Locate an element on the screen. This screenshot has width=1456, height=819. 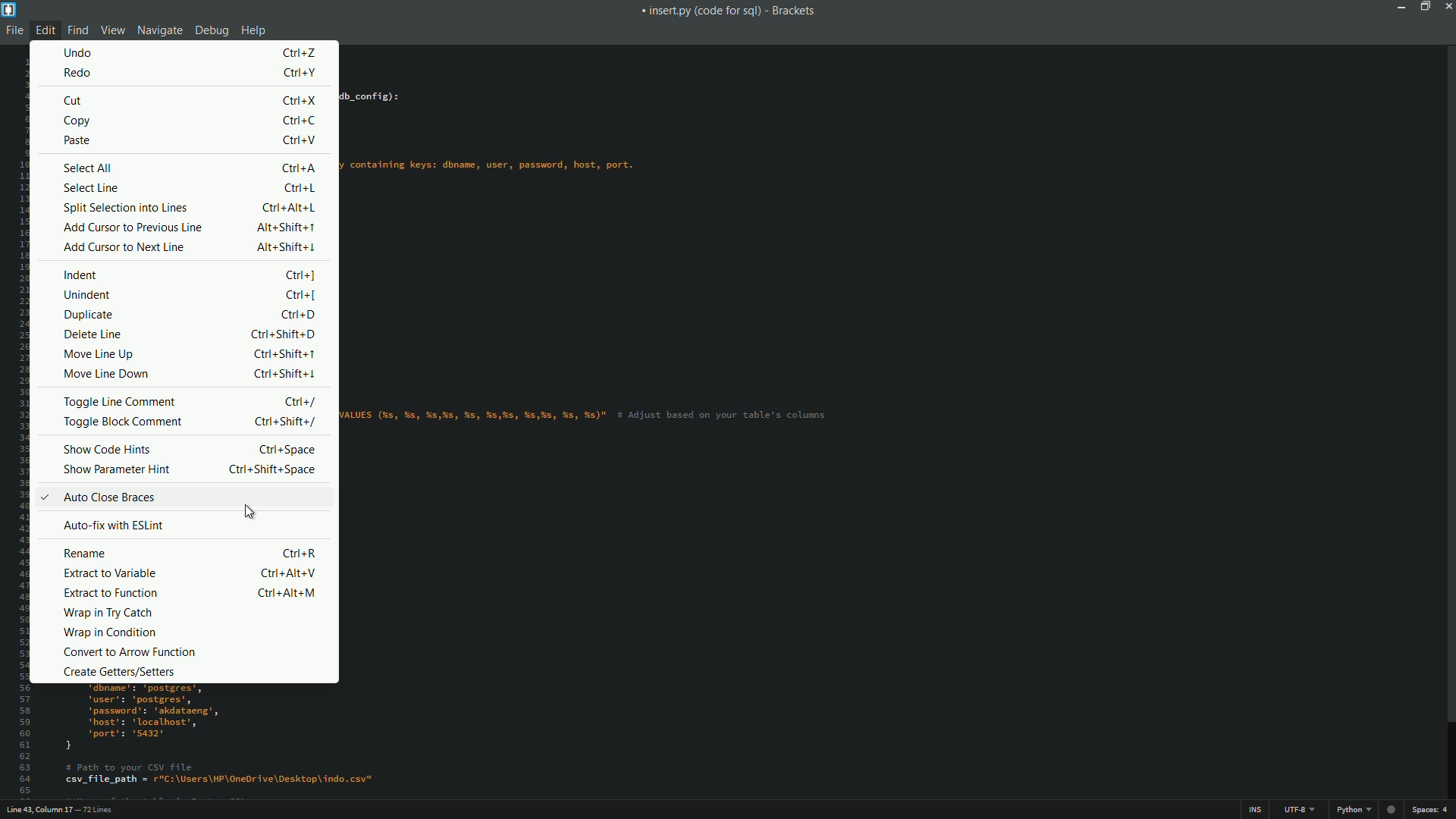
move line down is located at coordinates (110, 374).